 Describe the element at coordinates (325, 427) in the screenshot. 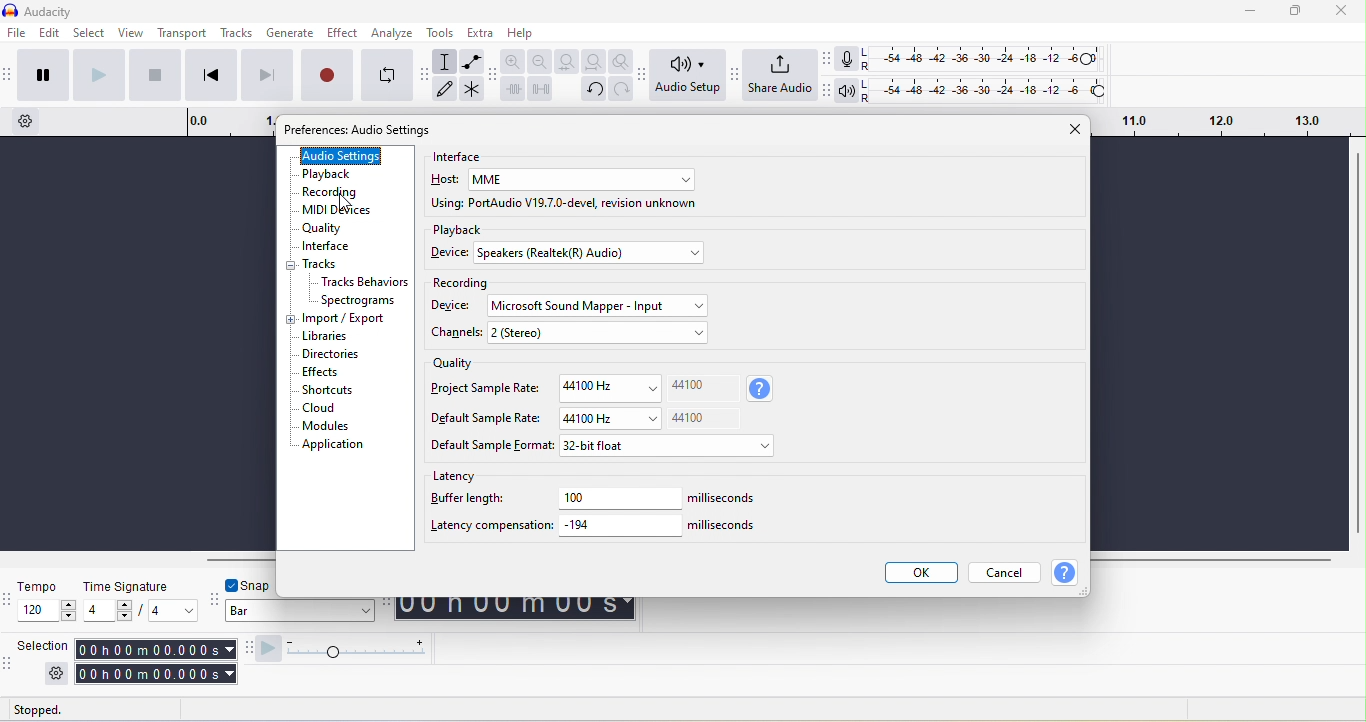

I see `modules` at that location.